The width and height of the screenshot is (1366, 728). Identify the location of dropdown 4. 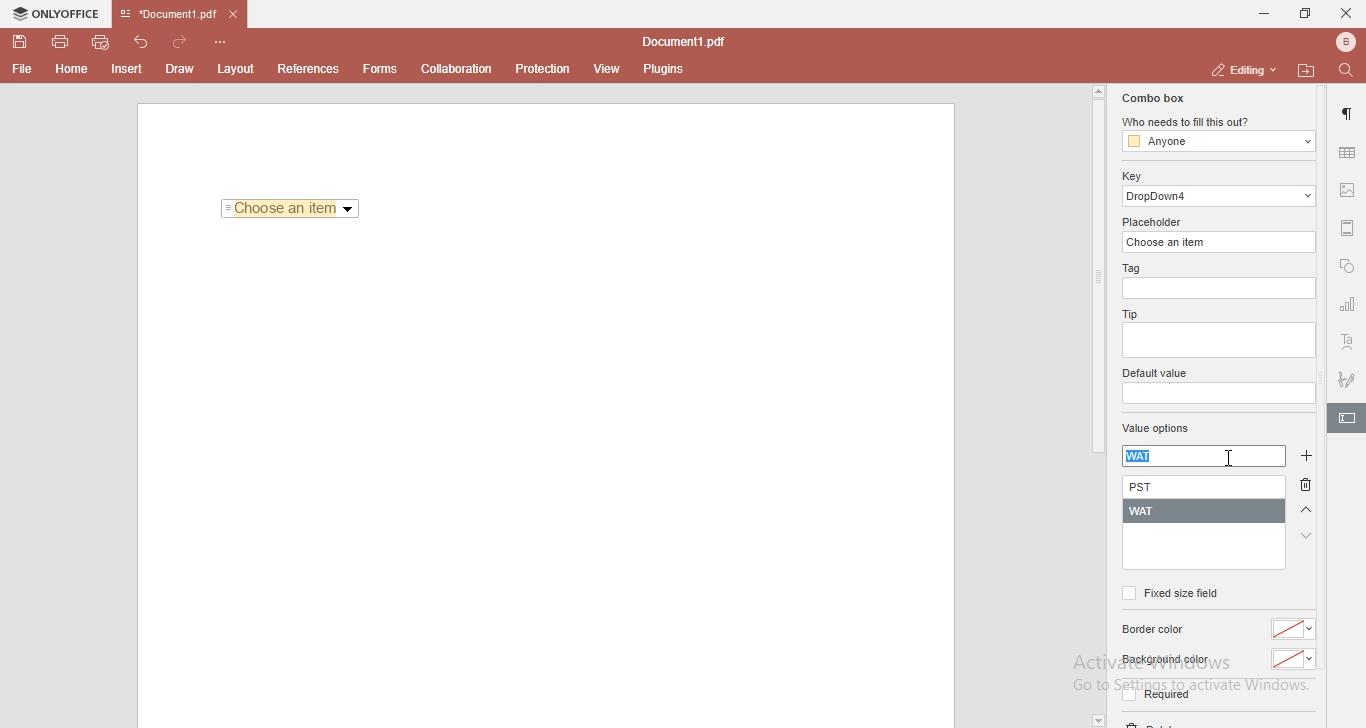
(1220, 196).